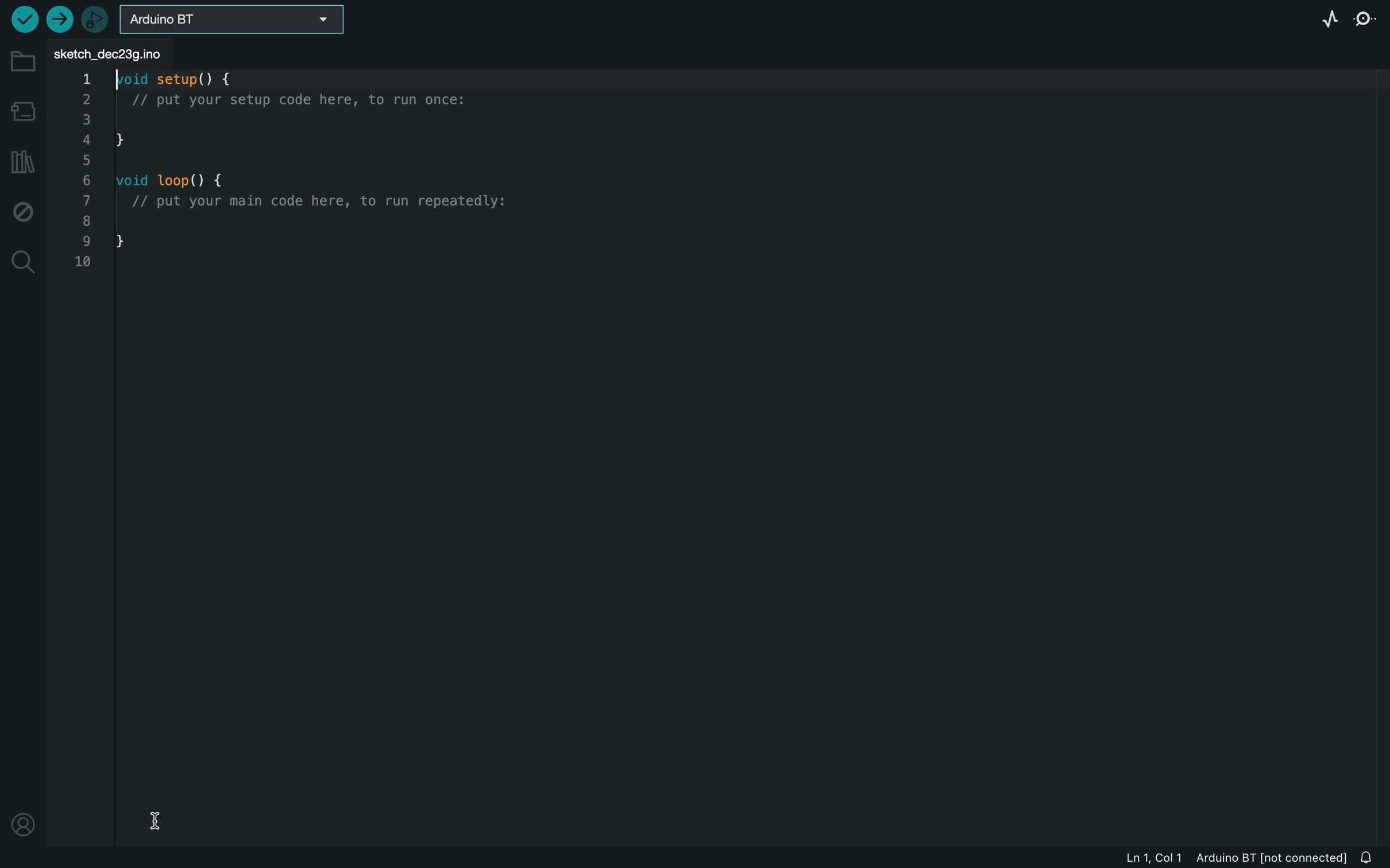 The height and width of the screenshot is (868, 1390). I want to click on folder, so click(21, 65).